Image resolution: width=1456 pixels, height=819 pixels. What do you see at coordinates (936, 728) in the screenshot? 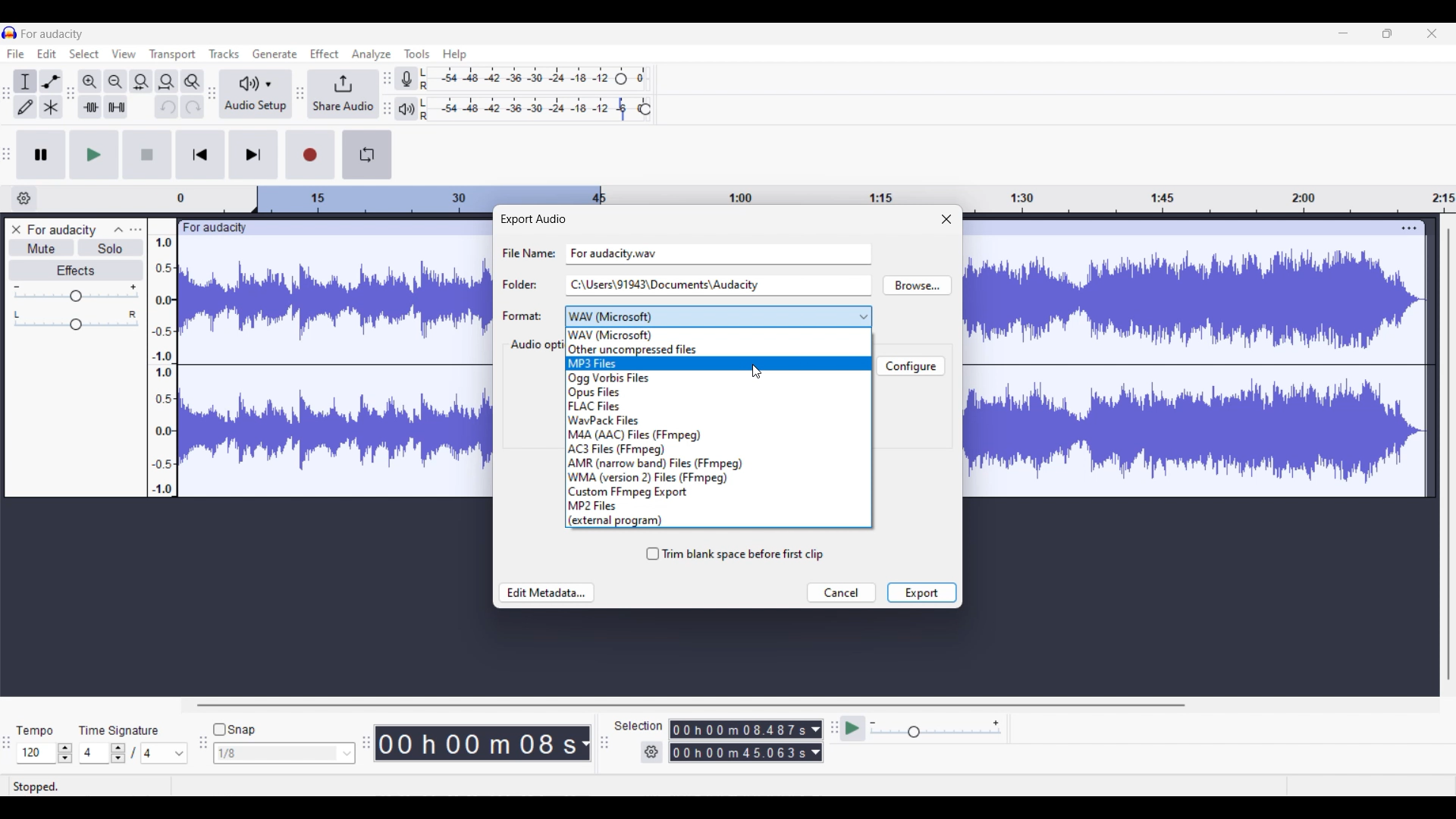
I see `Playback speed scale` at bounding box center [936, 728].